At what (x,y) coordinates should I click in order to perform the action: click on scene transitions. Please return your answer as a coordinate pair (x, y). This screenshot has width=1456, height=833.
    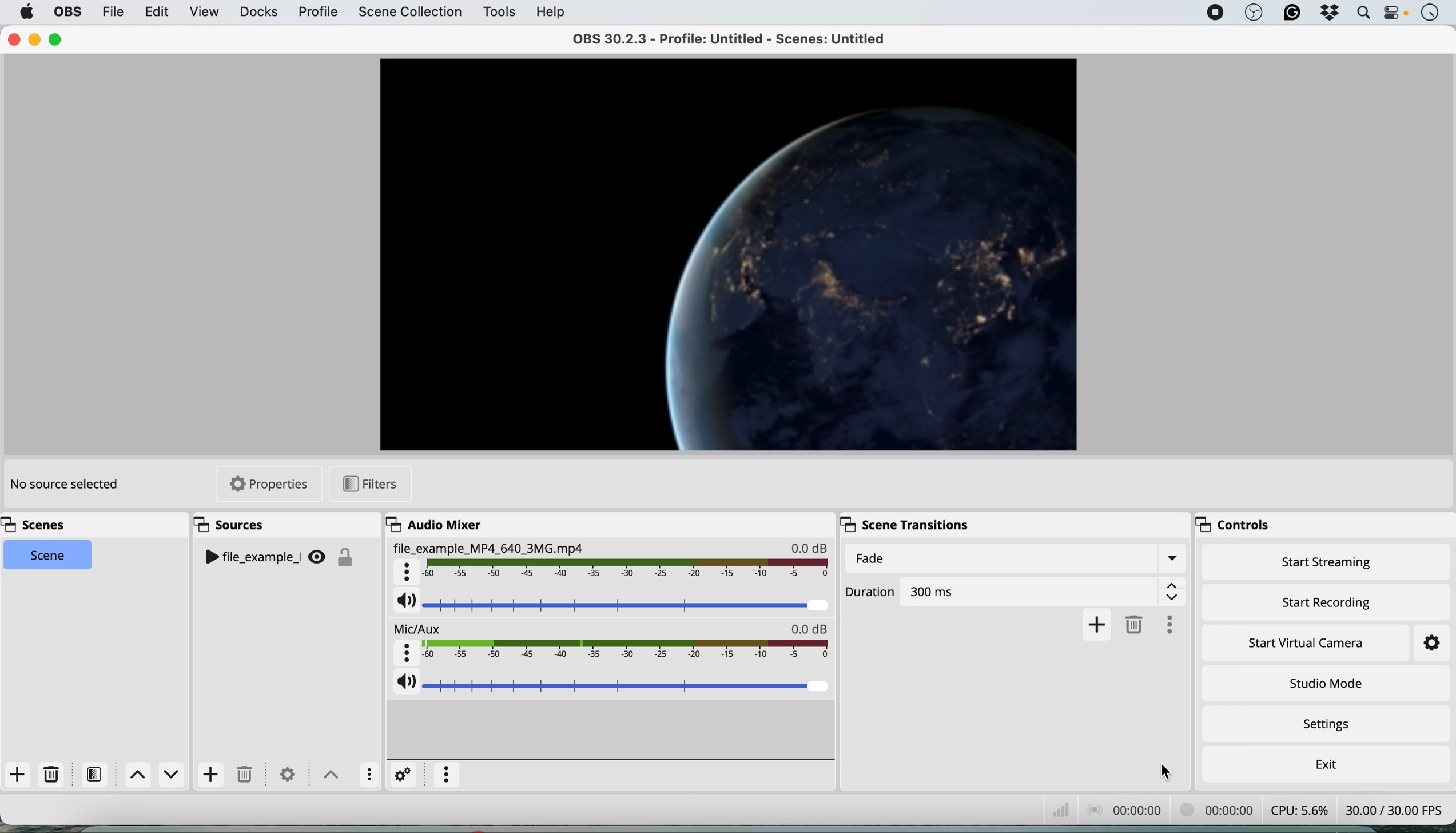
    Looking at the image, I should click on (908, 523).